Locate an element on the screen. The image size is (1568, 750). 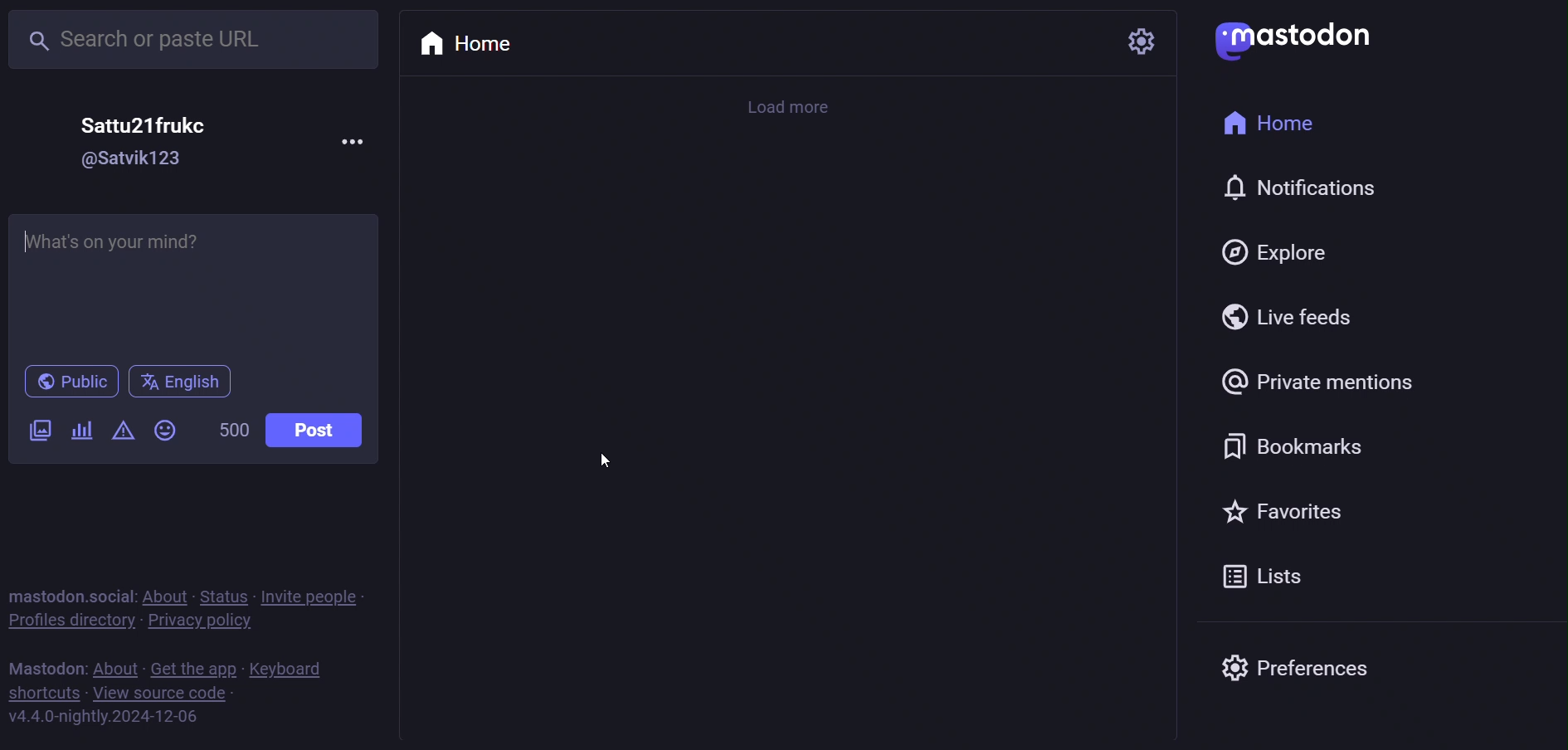
publish is located at coordinates (70, 382).